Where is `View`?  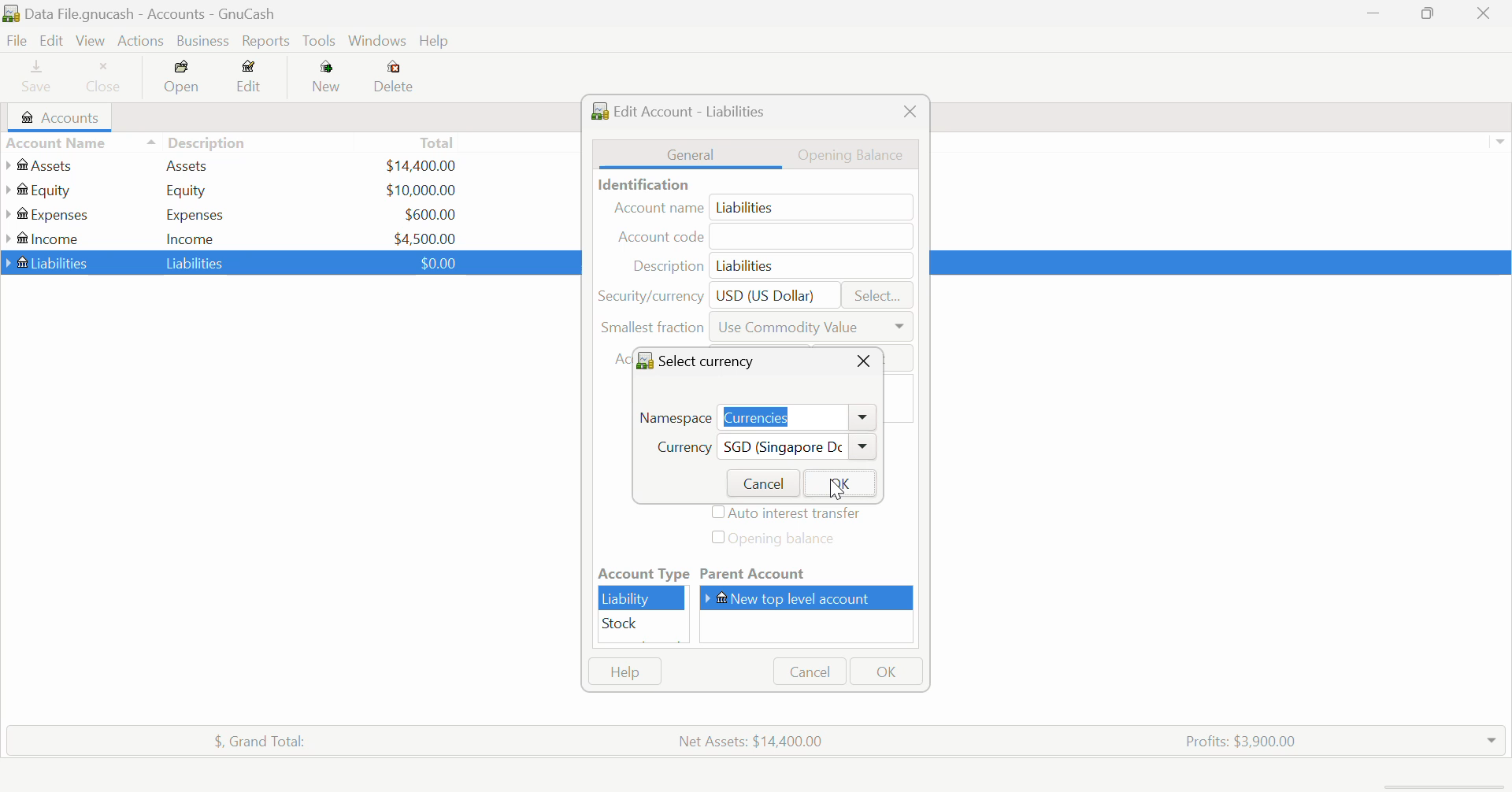 View is located at coordinates (89, 41).